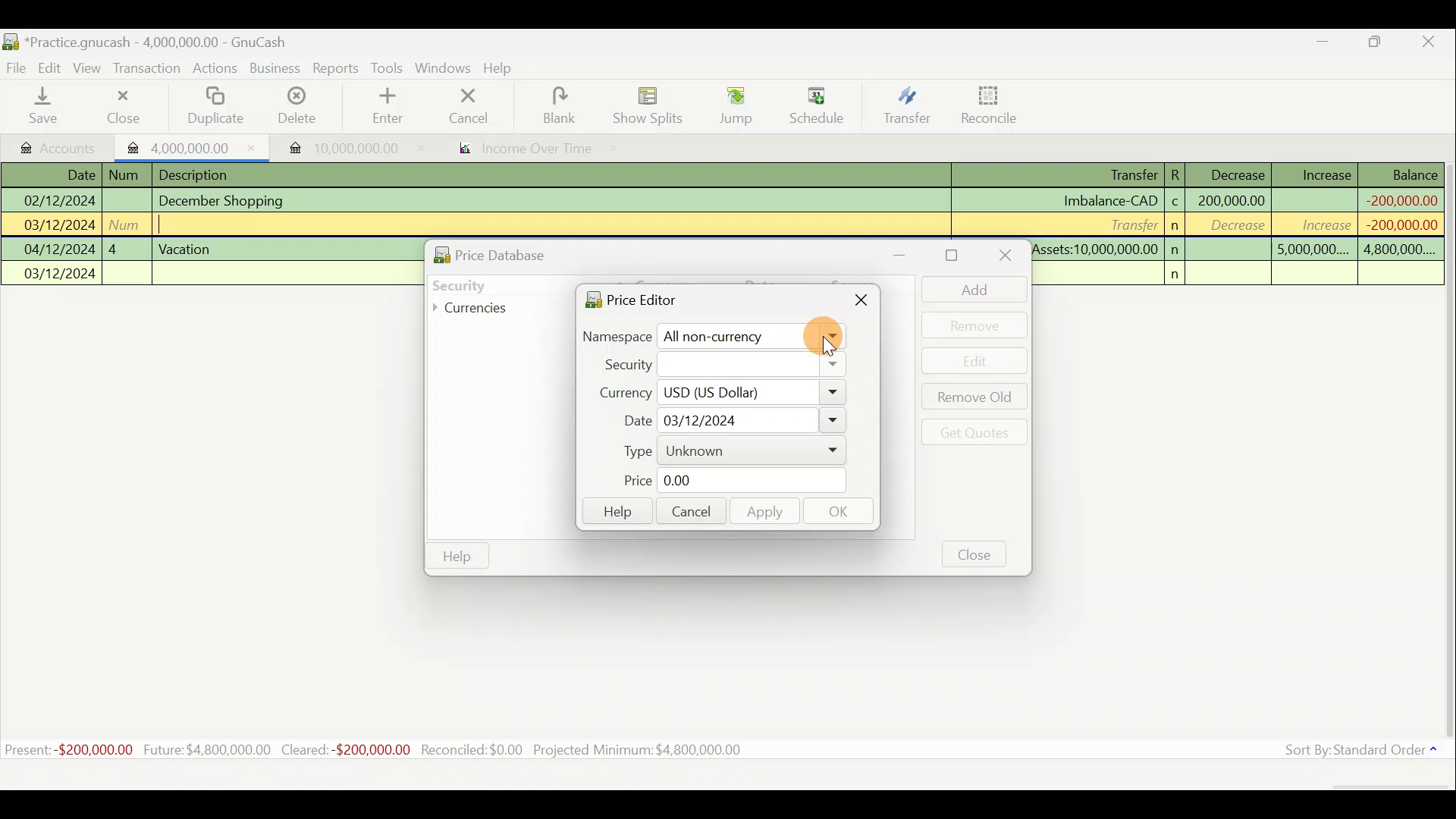  What do you see at coordinates (1003, 257) in the screenshot?
I see `Close` at bounding box center [1003, 257].